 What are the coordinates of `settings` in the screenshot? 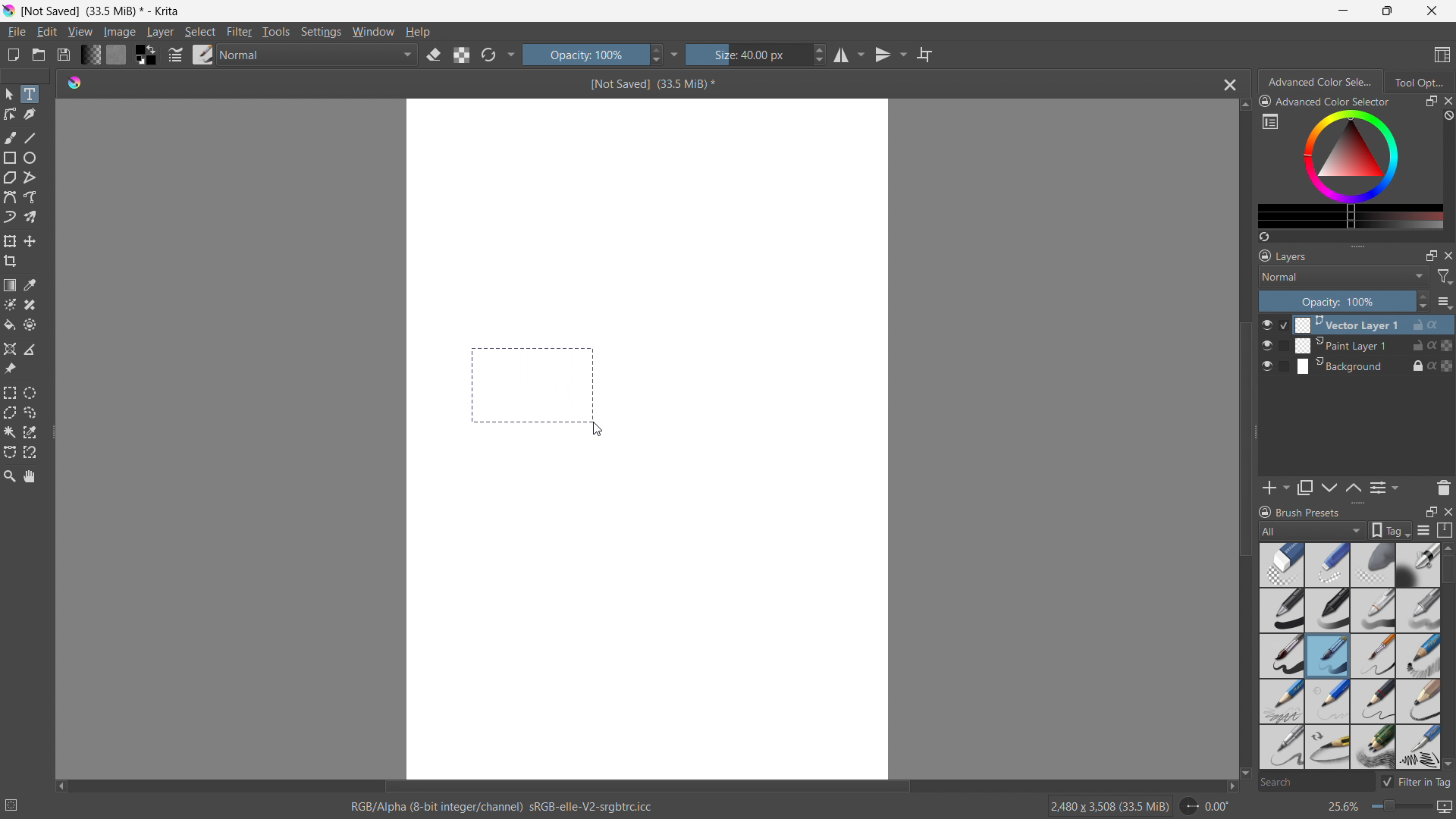 It's located at (321, 33).